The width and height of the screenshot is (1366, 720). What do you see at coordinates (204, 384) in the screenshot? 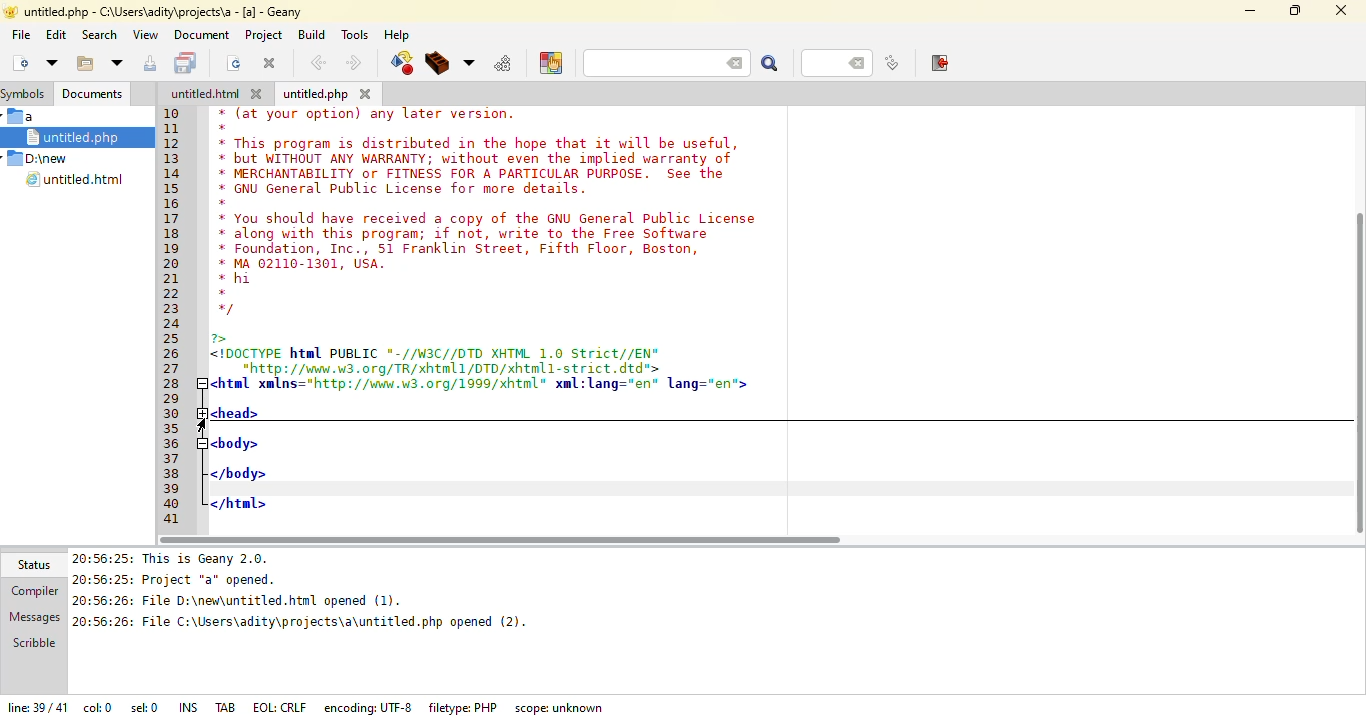
I see `collapse` at bounding box center [204, 384].